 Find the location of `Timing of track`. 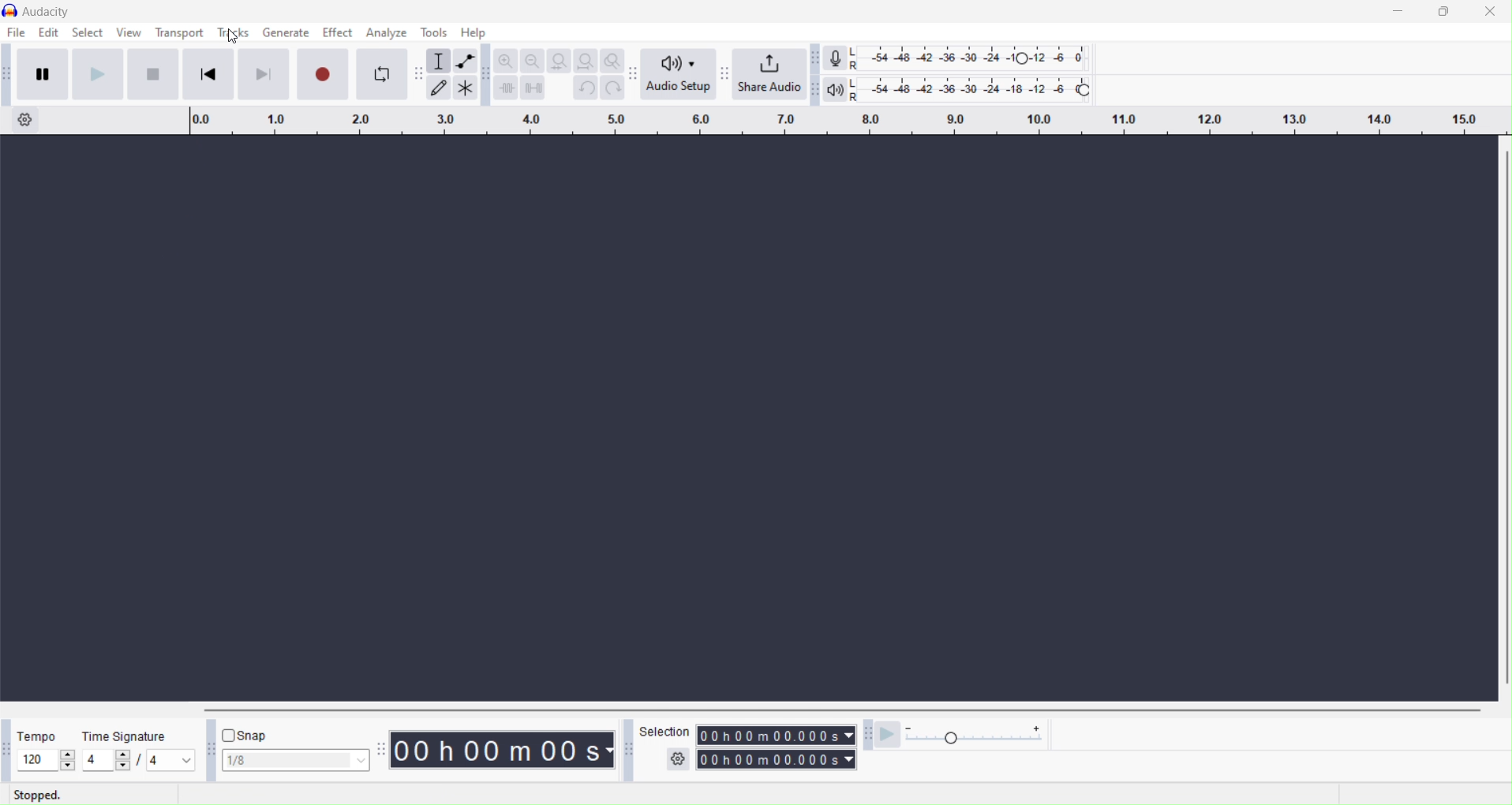

Timing of track is located at coordinates (503, 750).